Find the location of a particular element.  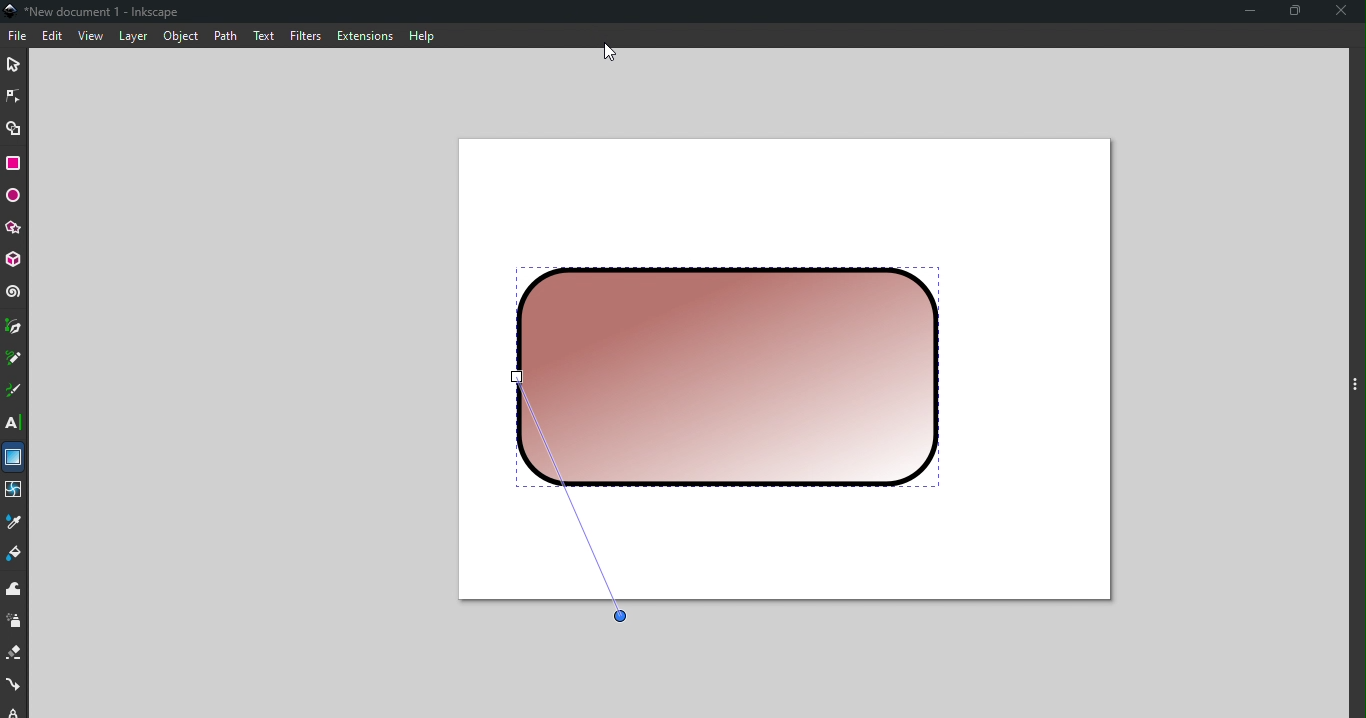

Layer is located at coordinates (133, 37).